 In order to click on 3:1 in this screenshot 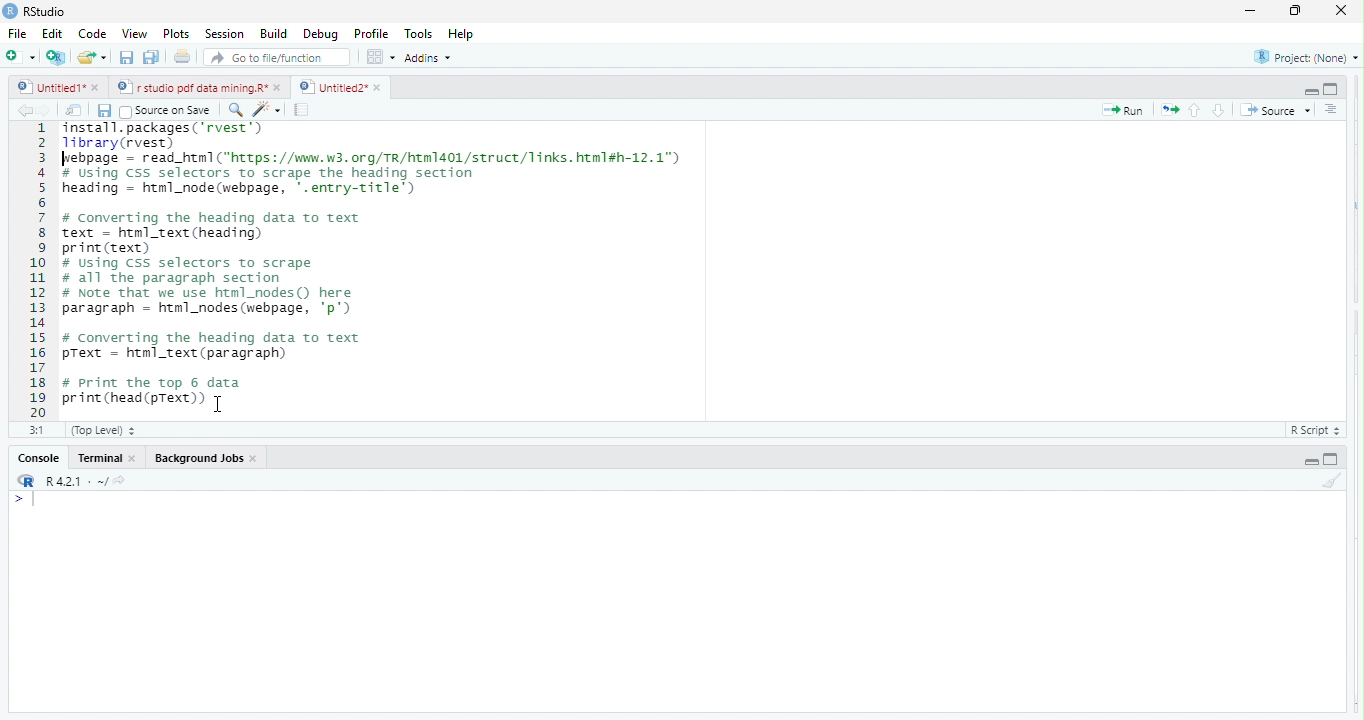, I will do `click(37, 429)`.